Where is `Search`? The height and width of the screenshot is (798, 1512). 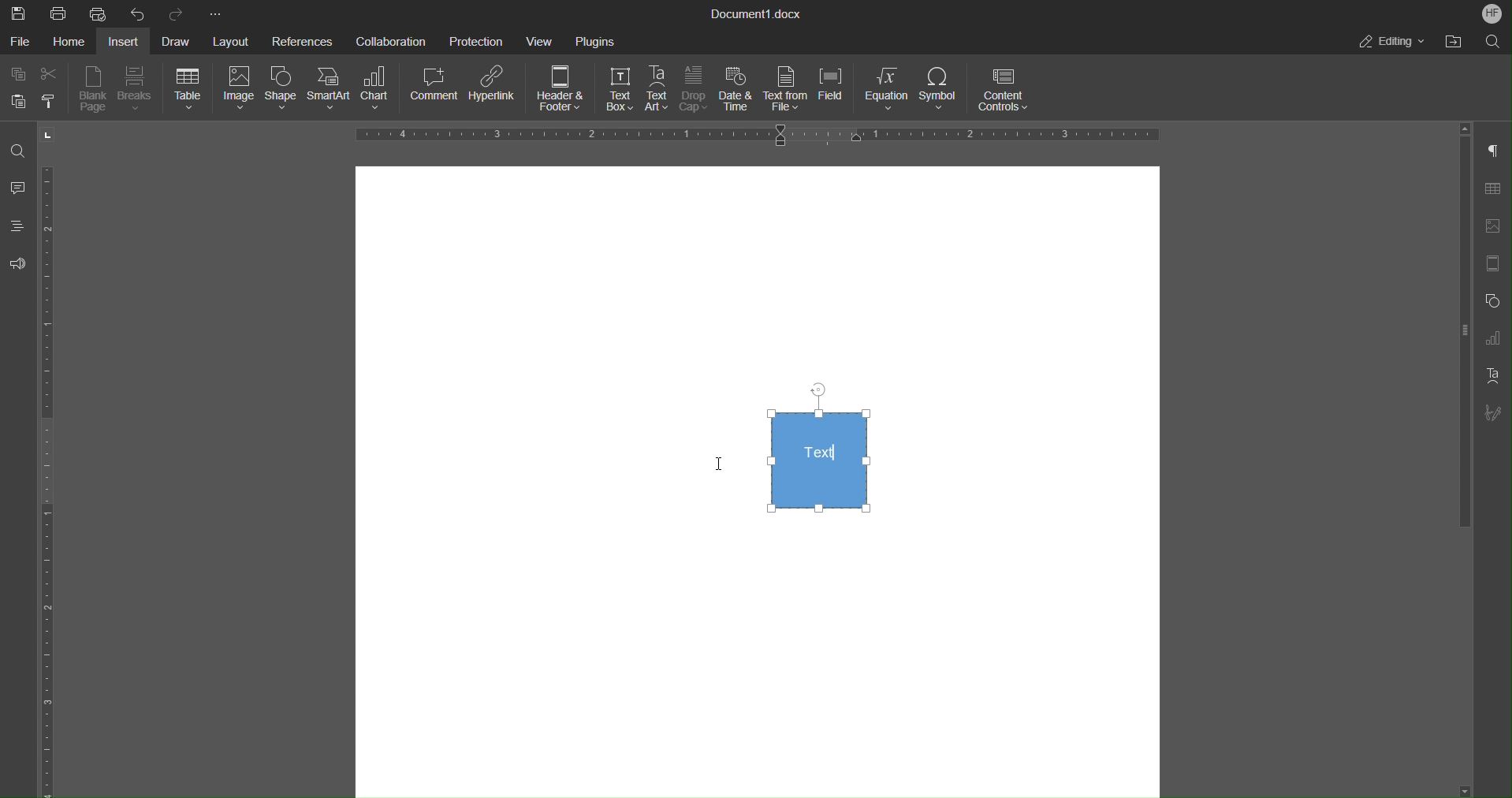 Search is located at coordinates (1490, 42).